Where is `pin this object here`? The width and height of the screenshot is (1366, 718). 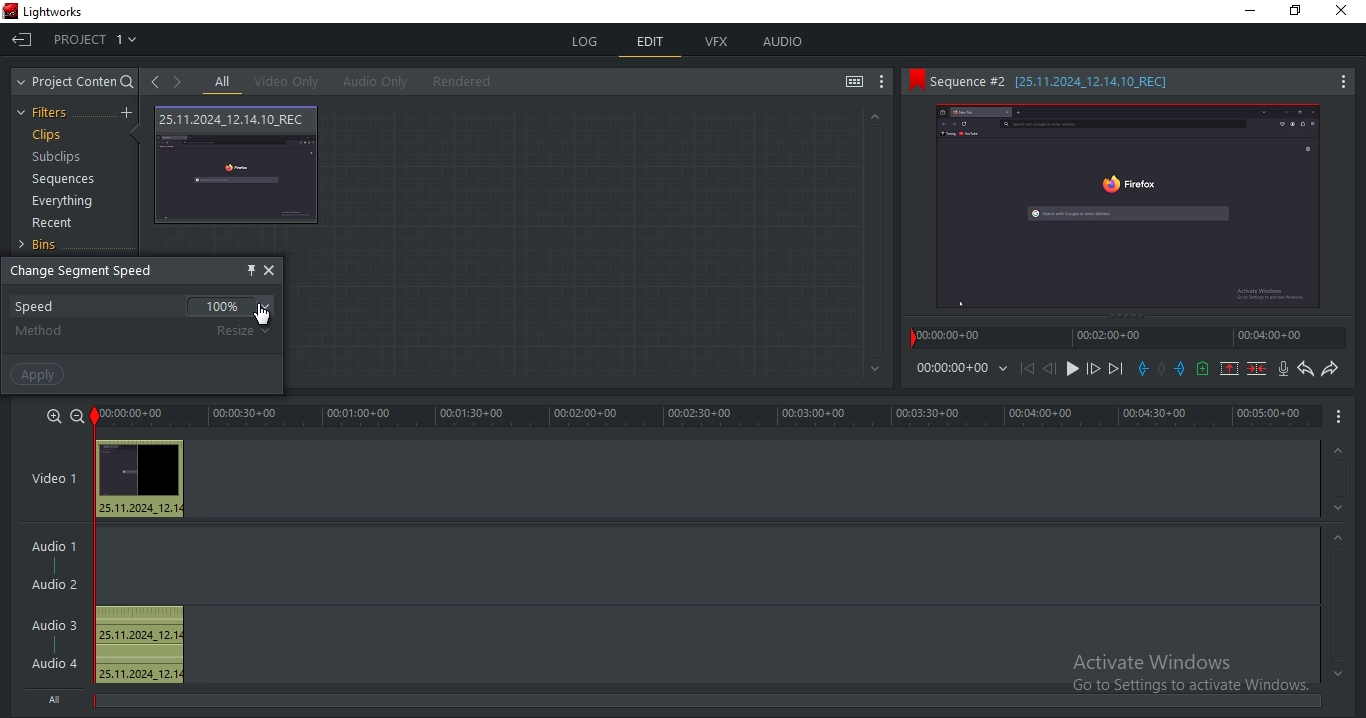 pin this object here is located at coordinates (247, 269).